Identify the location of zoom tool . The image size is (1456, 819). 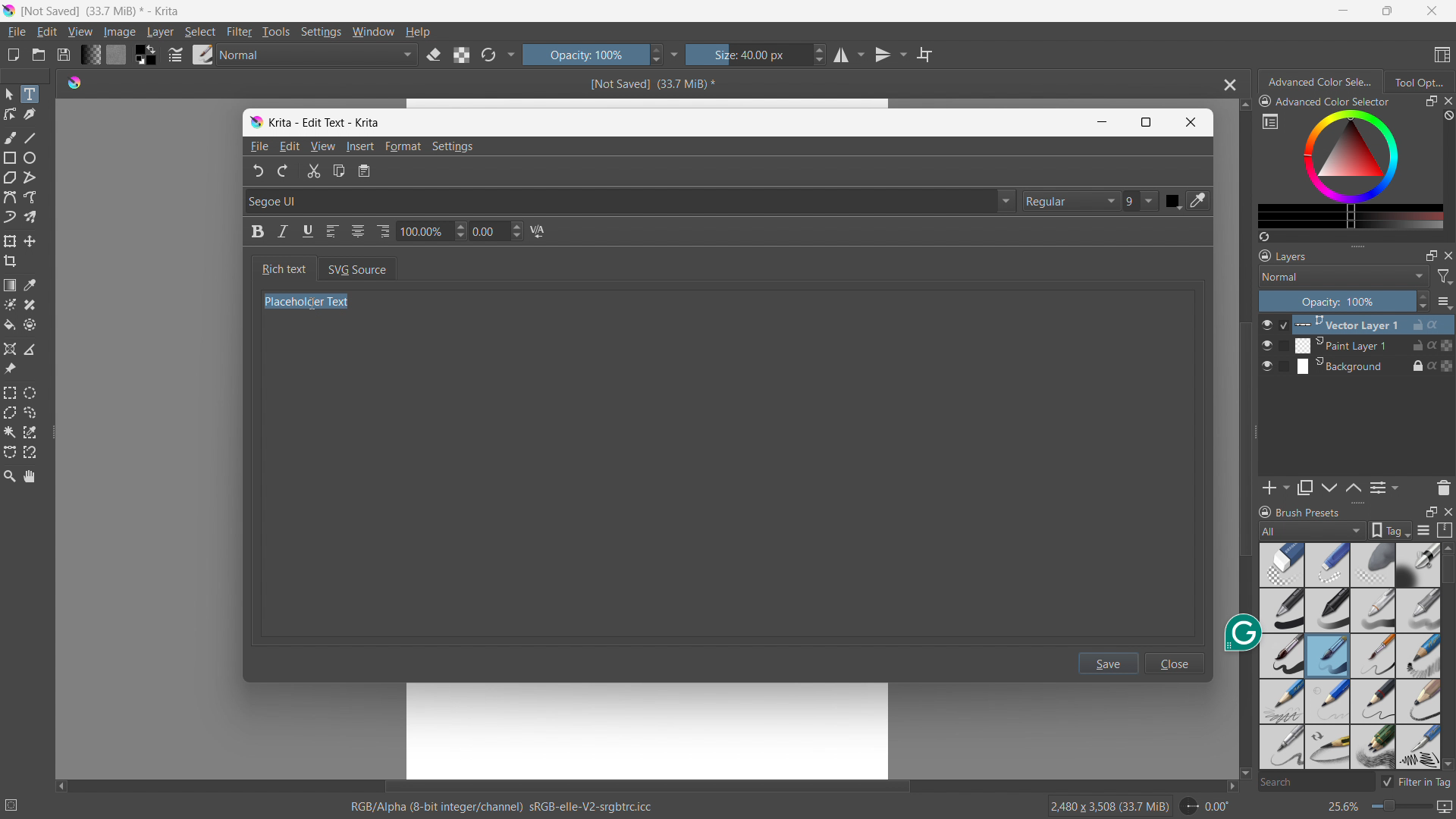
(9, 475).